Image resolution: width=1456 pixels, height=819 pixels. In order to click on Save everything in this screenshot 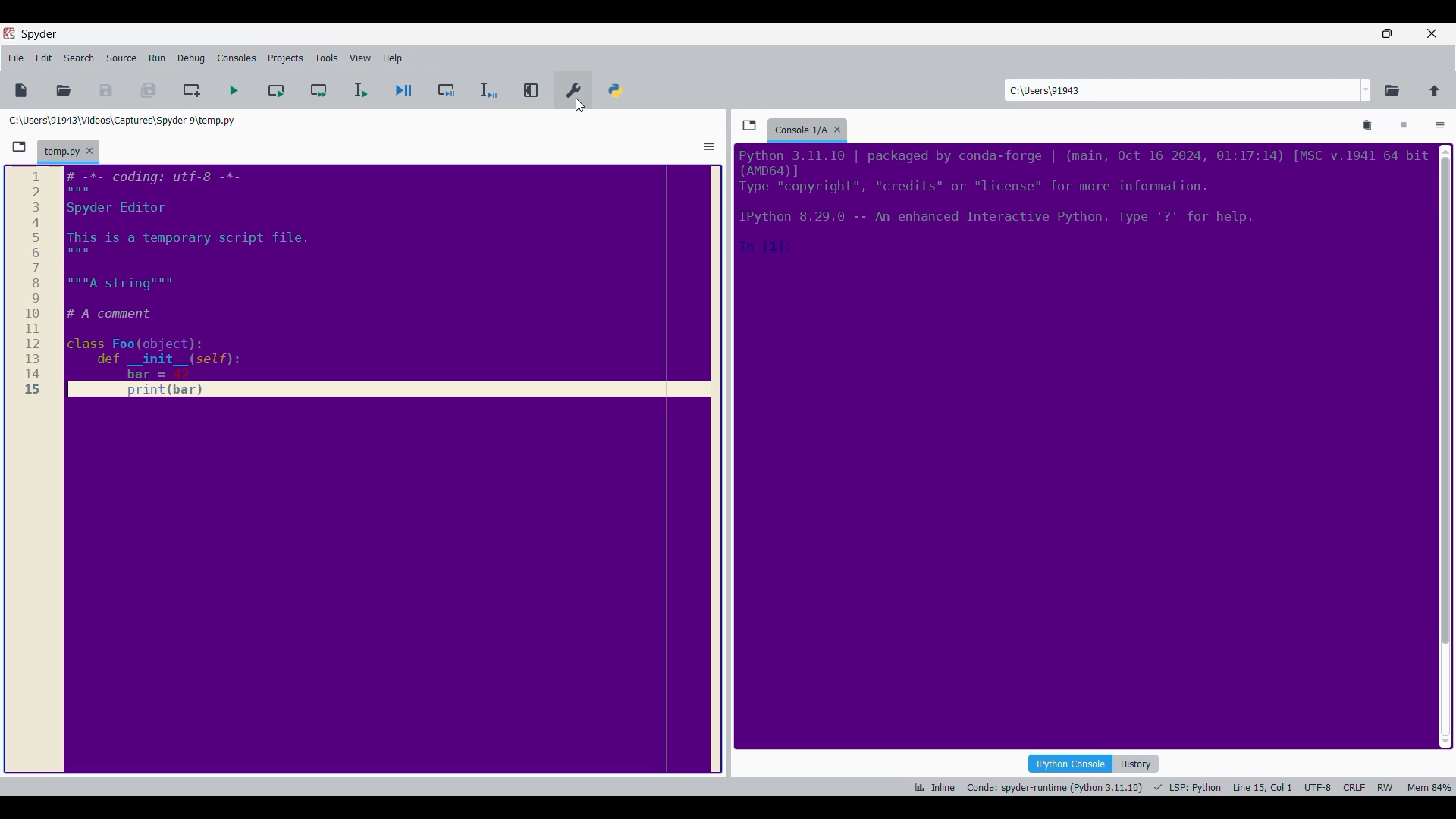, I will do `click(149, 90)`.